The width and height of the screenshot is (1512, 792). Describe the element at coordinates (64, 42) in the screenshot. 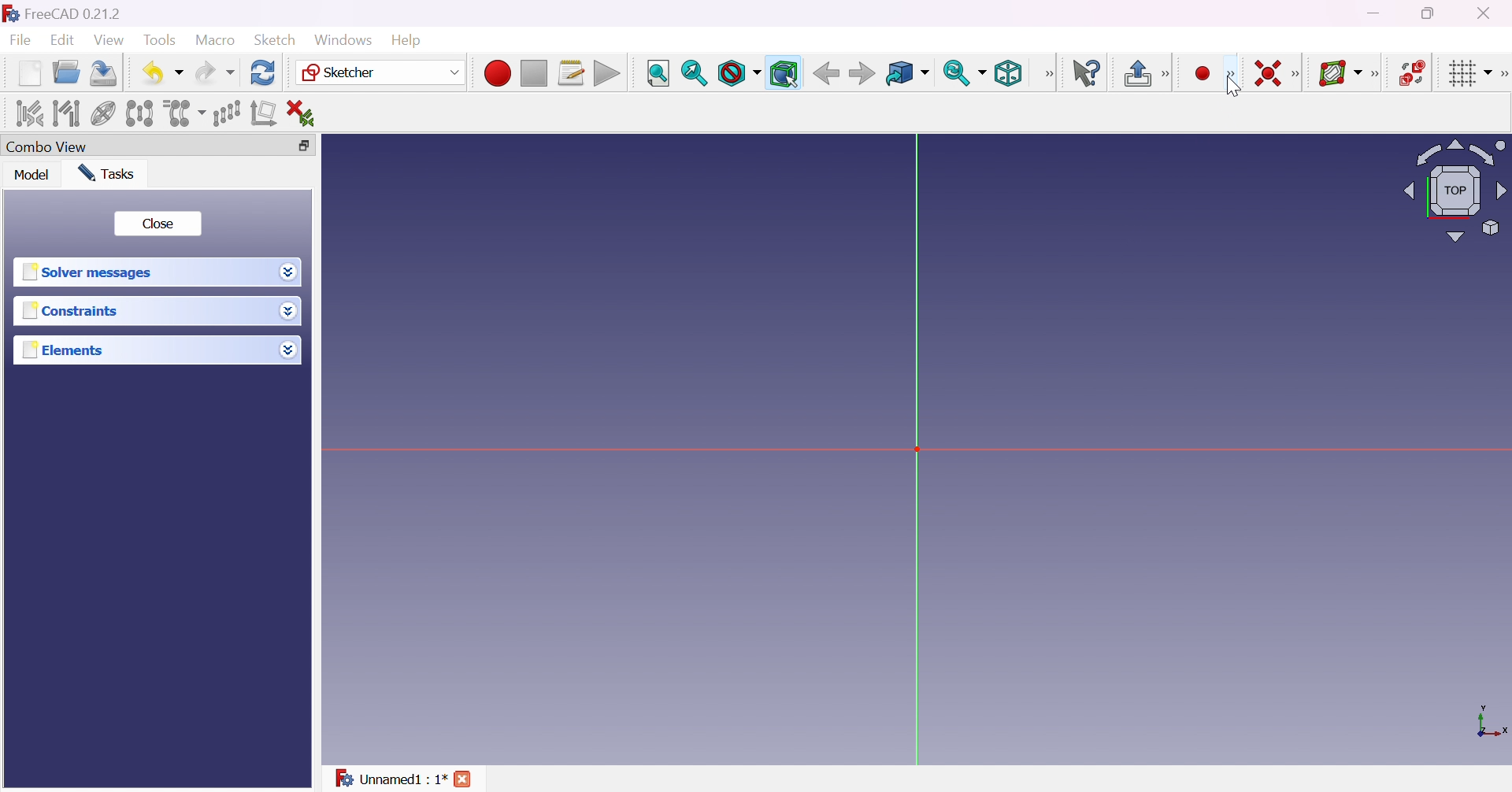

I see `Edit` at that location.